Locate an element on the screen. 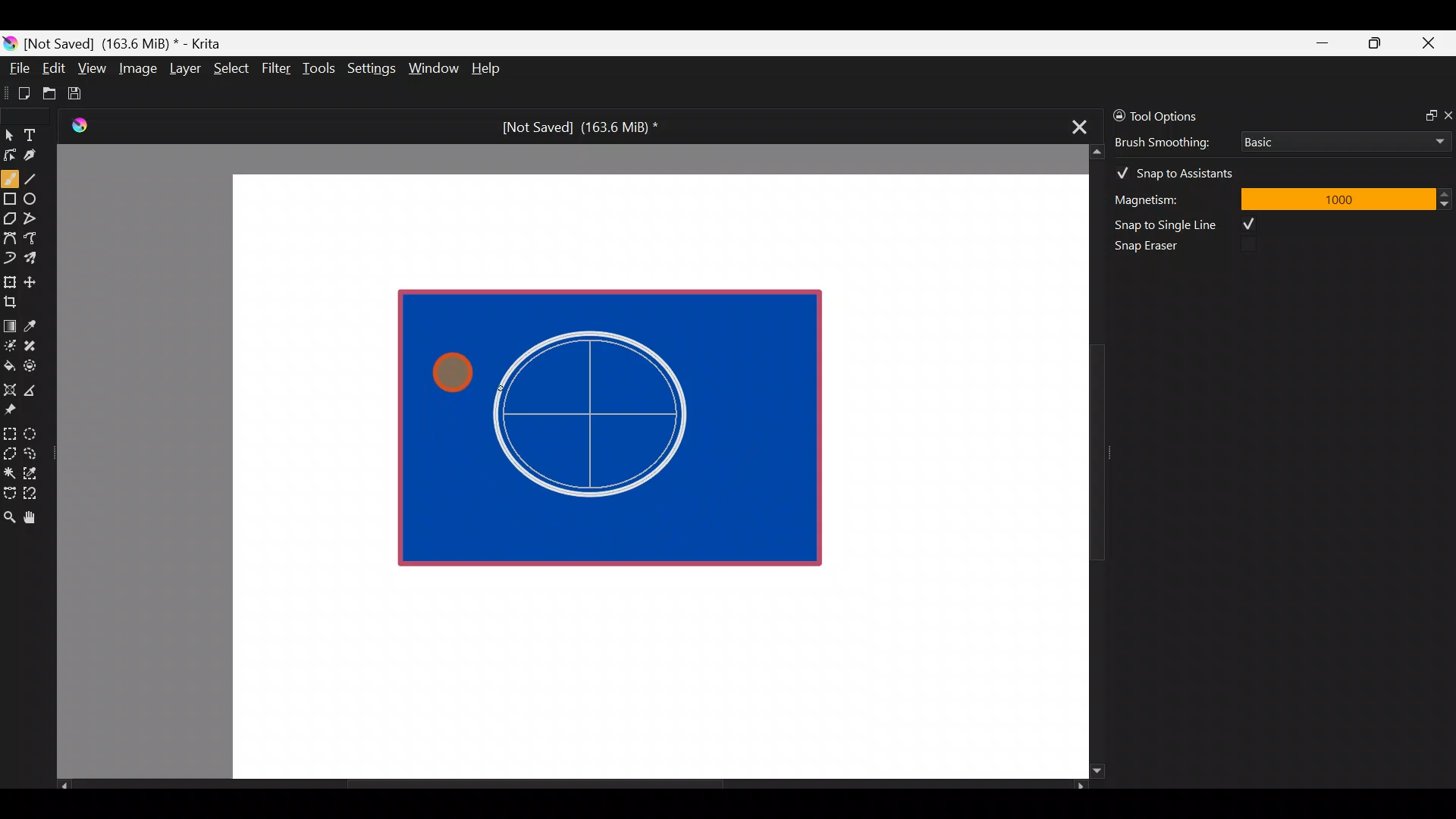 The width and height of the screenshot is (1456, 819). Polygonal section tool is located at coordinates (9, 450).